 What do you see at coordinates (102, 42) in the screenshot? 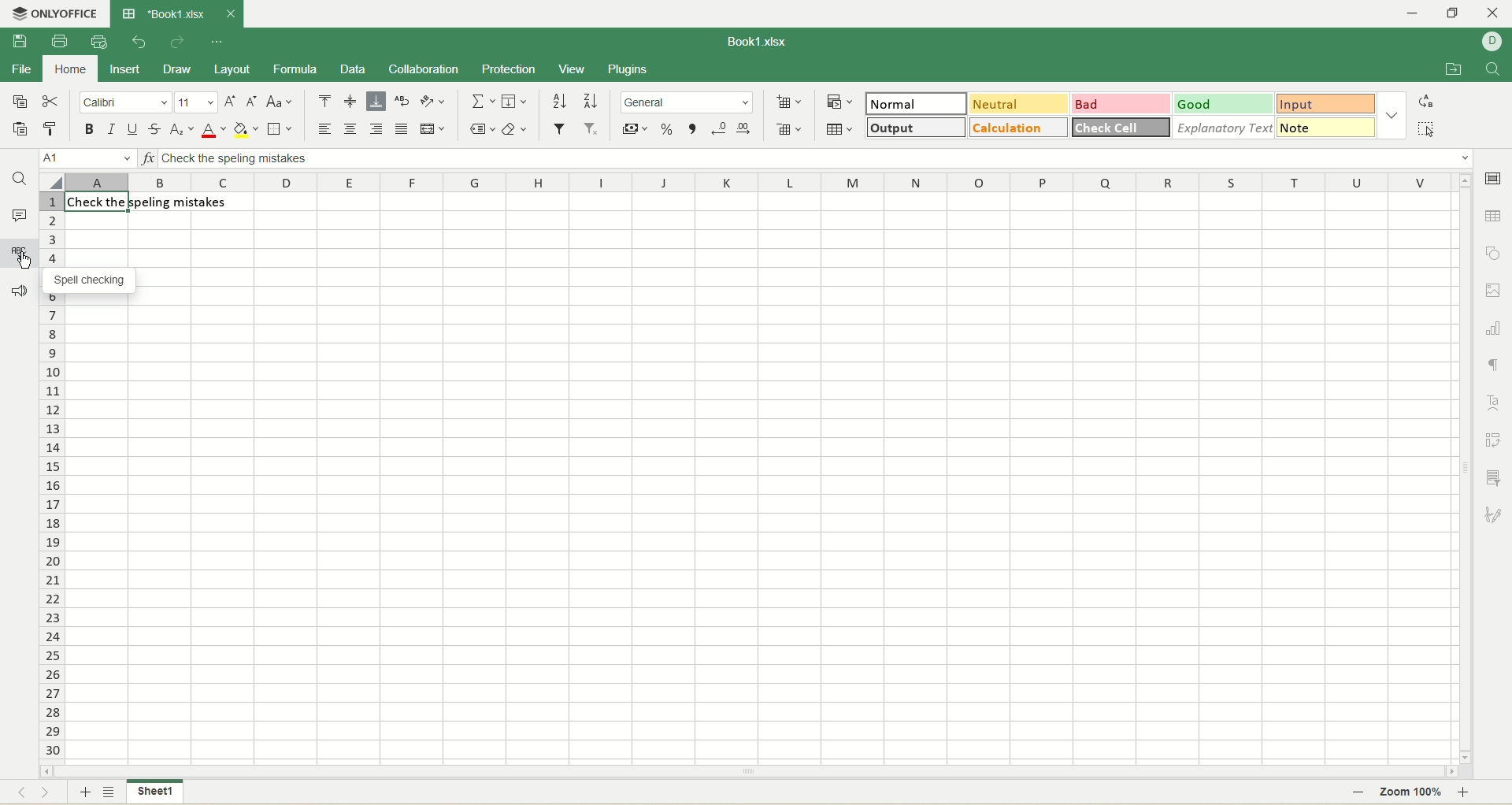
I see `quick print` at bounding box center [102, 42].